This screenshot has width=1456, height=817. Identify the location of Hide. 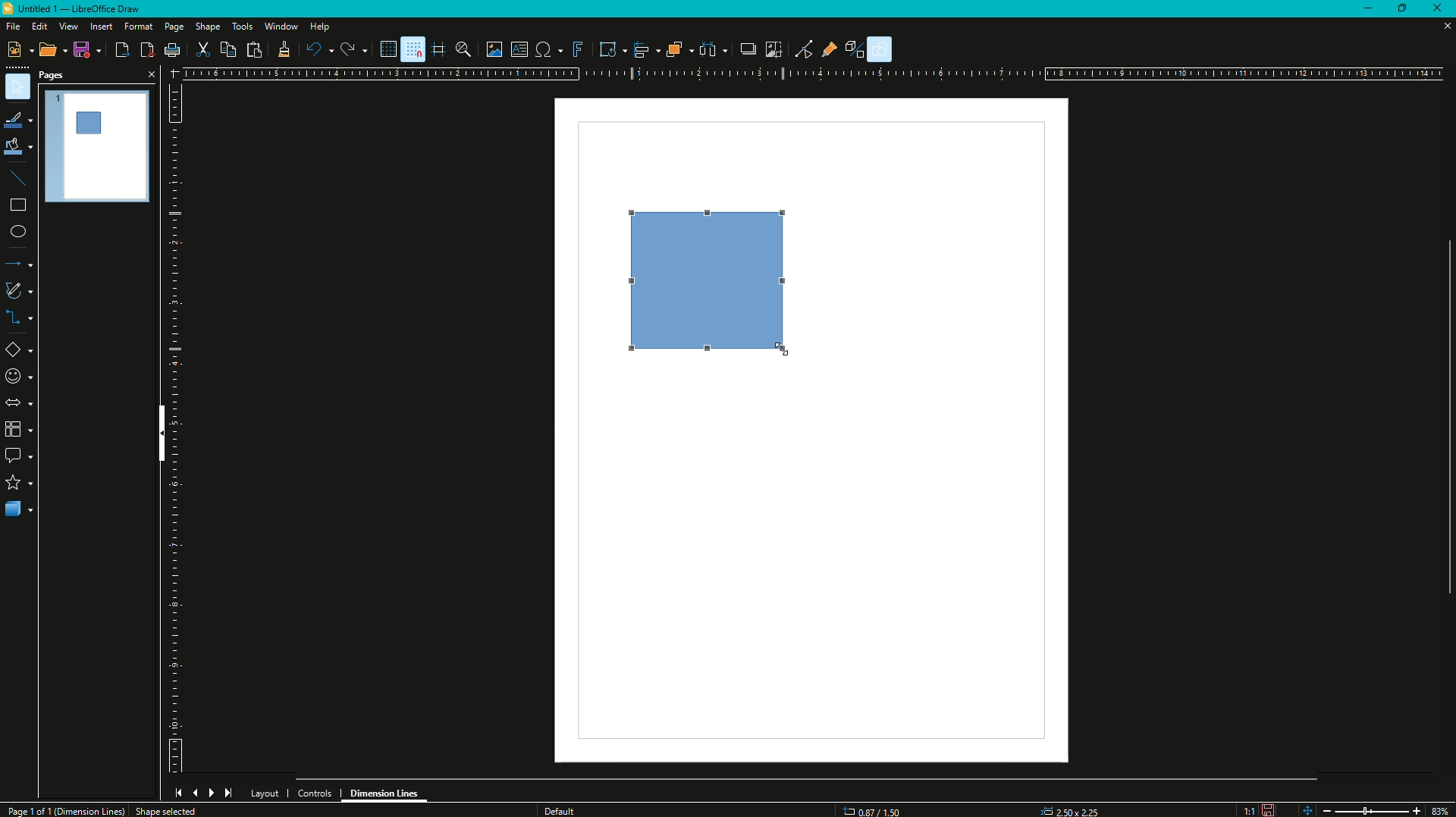
(158, 436).